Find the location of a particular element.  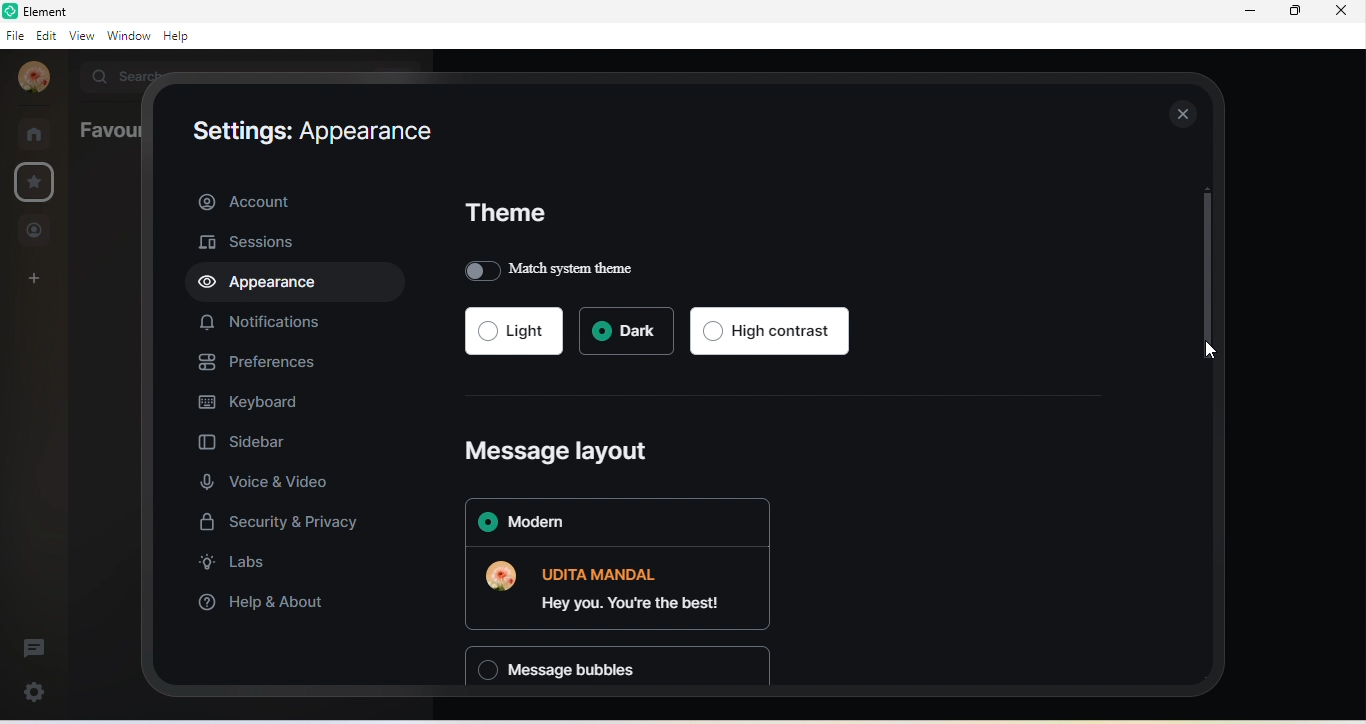

labs is located at coordinates (238, 566).